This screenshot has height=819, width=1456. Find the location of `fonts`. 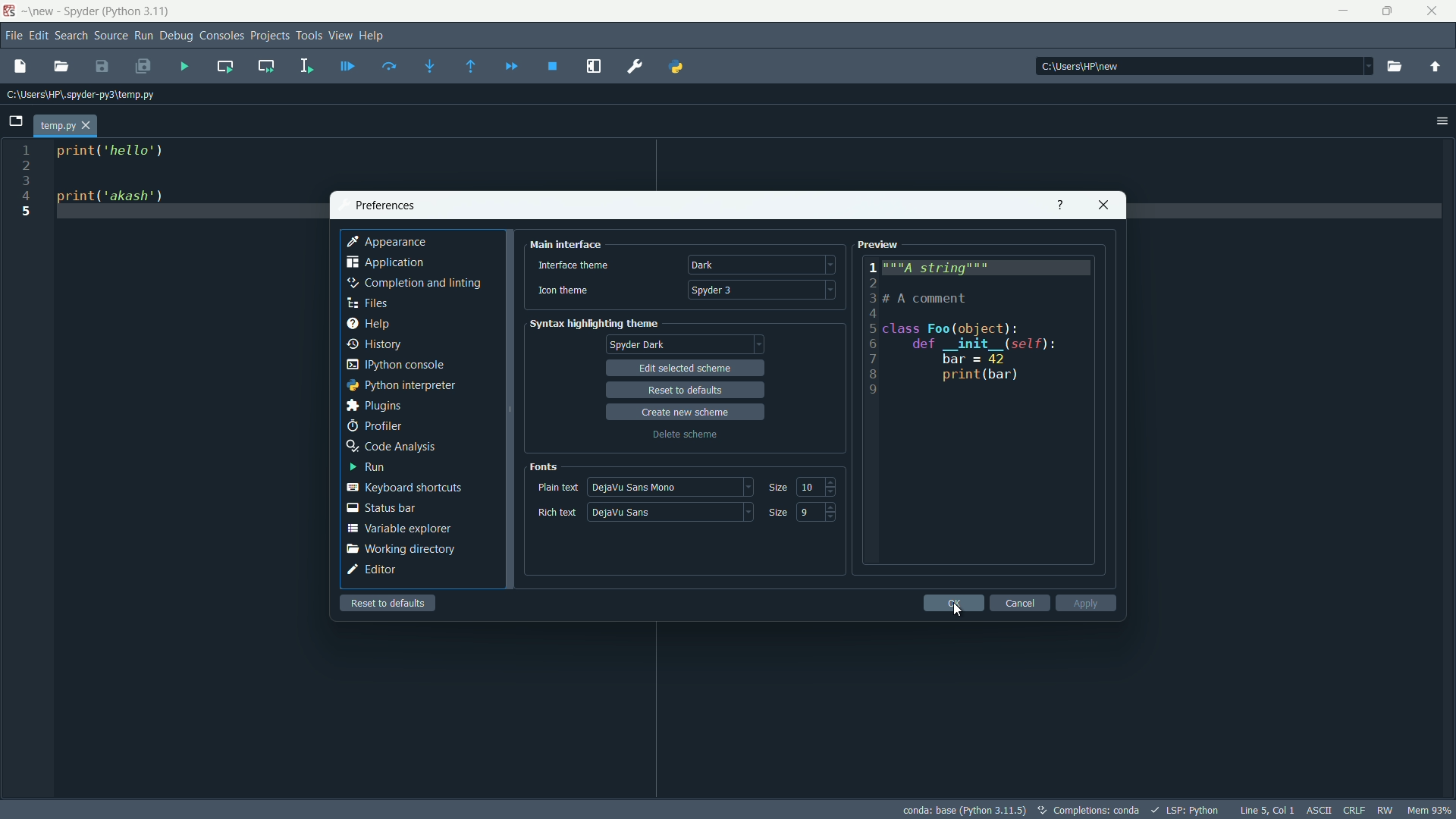

fonts is located at coordinates (545, 467).